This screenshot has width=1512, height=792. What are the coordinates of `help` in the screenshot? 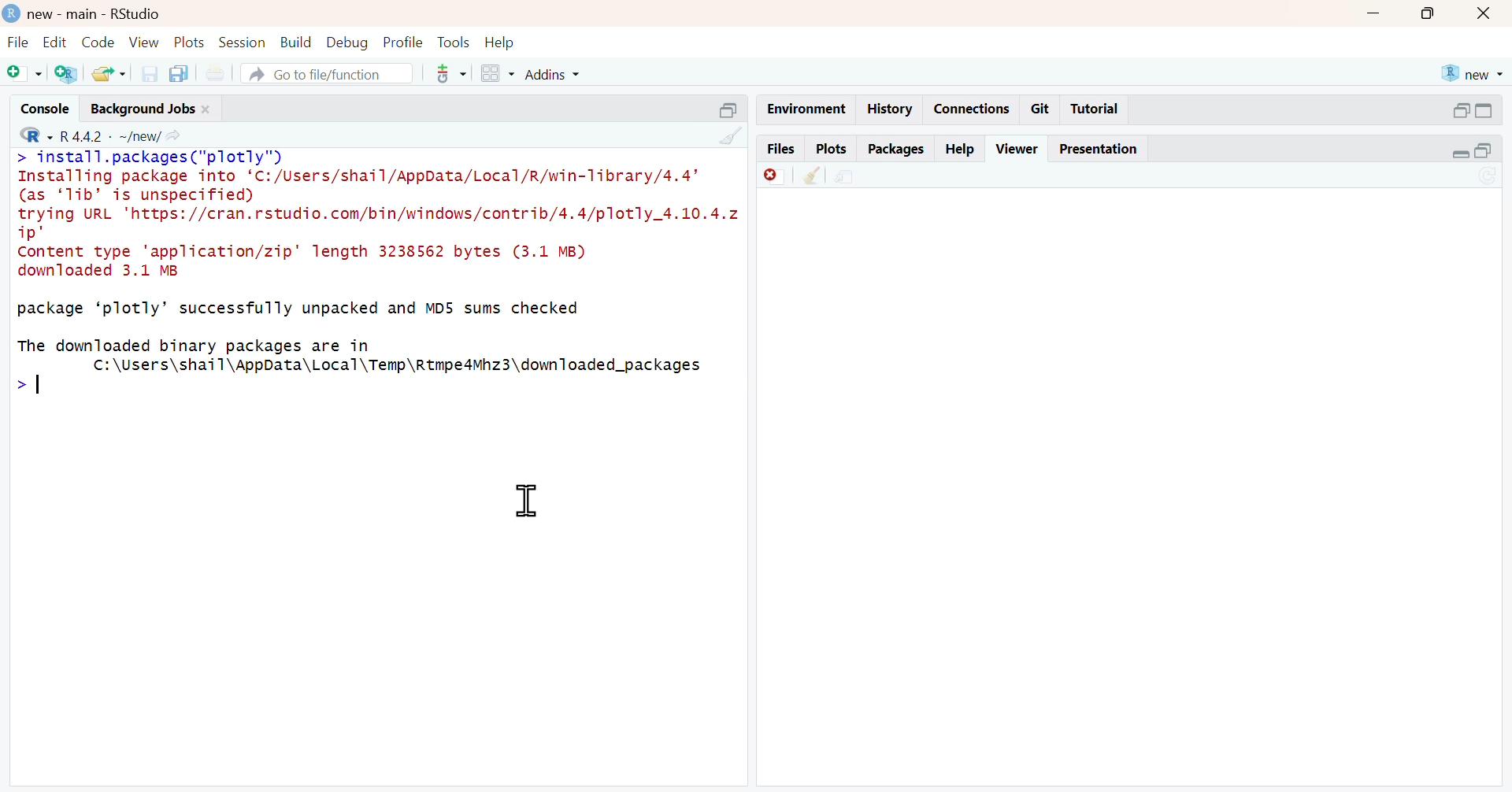 It's located at (503, 41).